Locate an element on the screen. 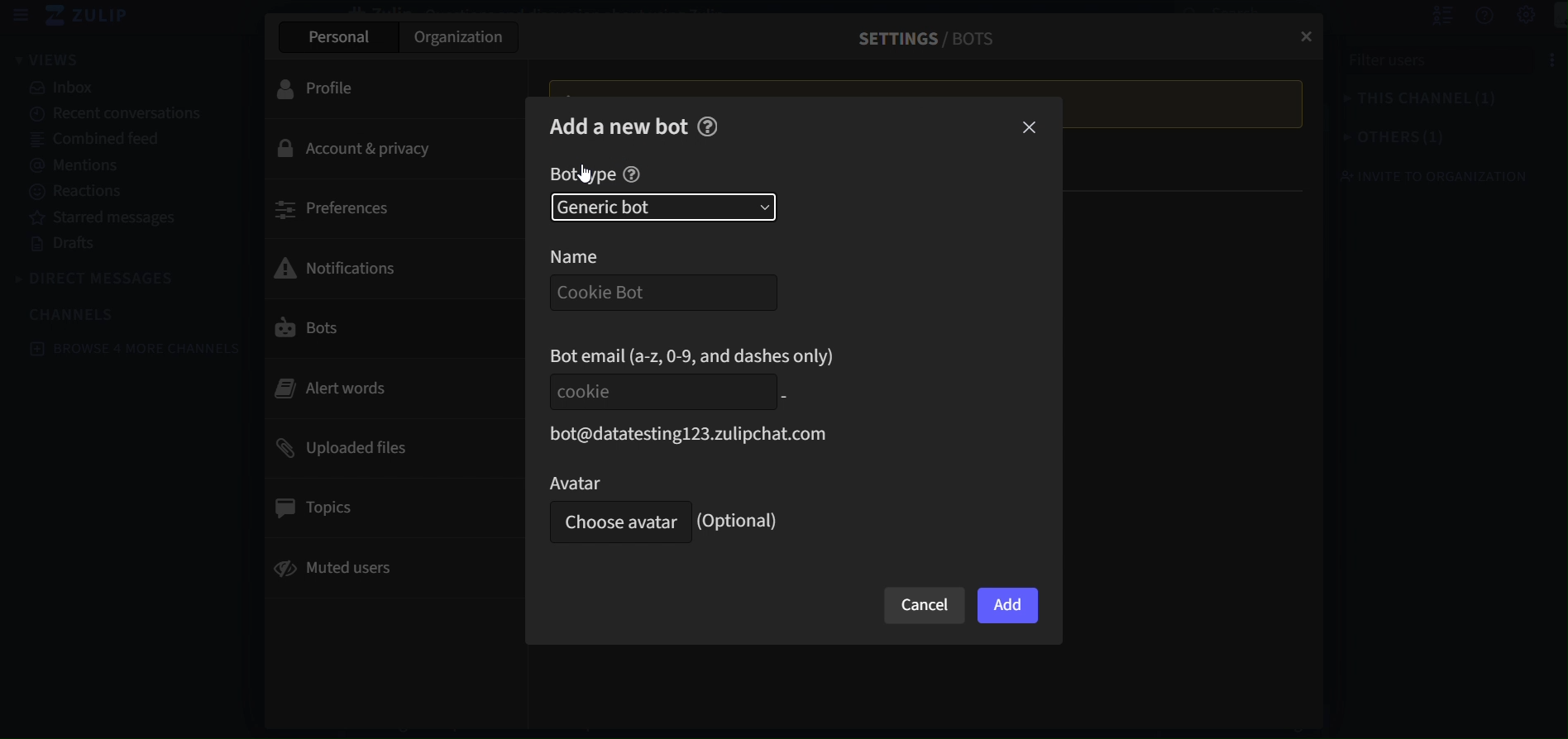  topics is located at coordinates (381, 508).